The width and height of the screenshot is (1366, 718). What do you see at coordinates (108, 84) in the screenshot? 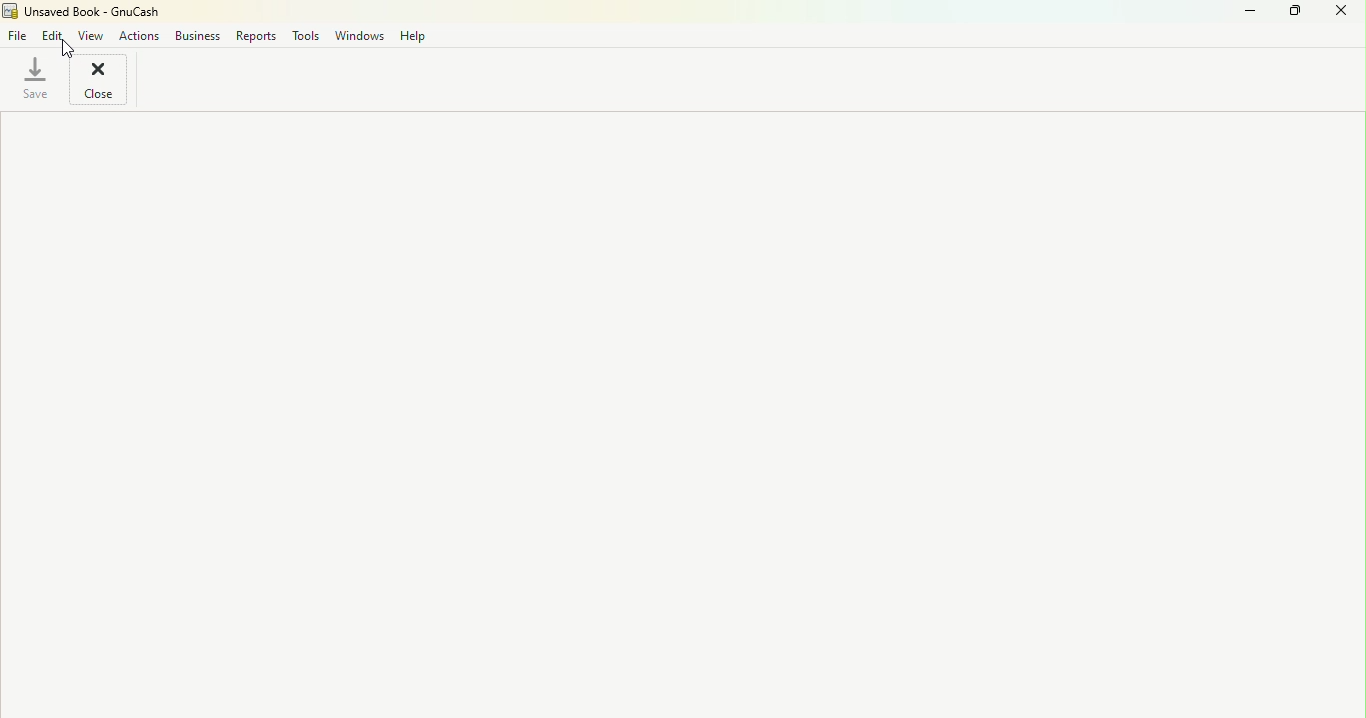
I see `Close` at bounding box center [108, 84].